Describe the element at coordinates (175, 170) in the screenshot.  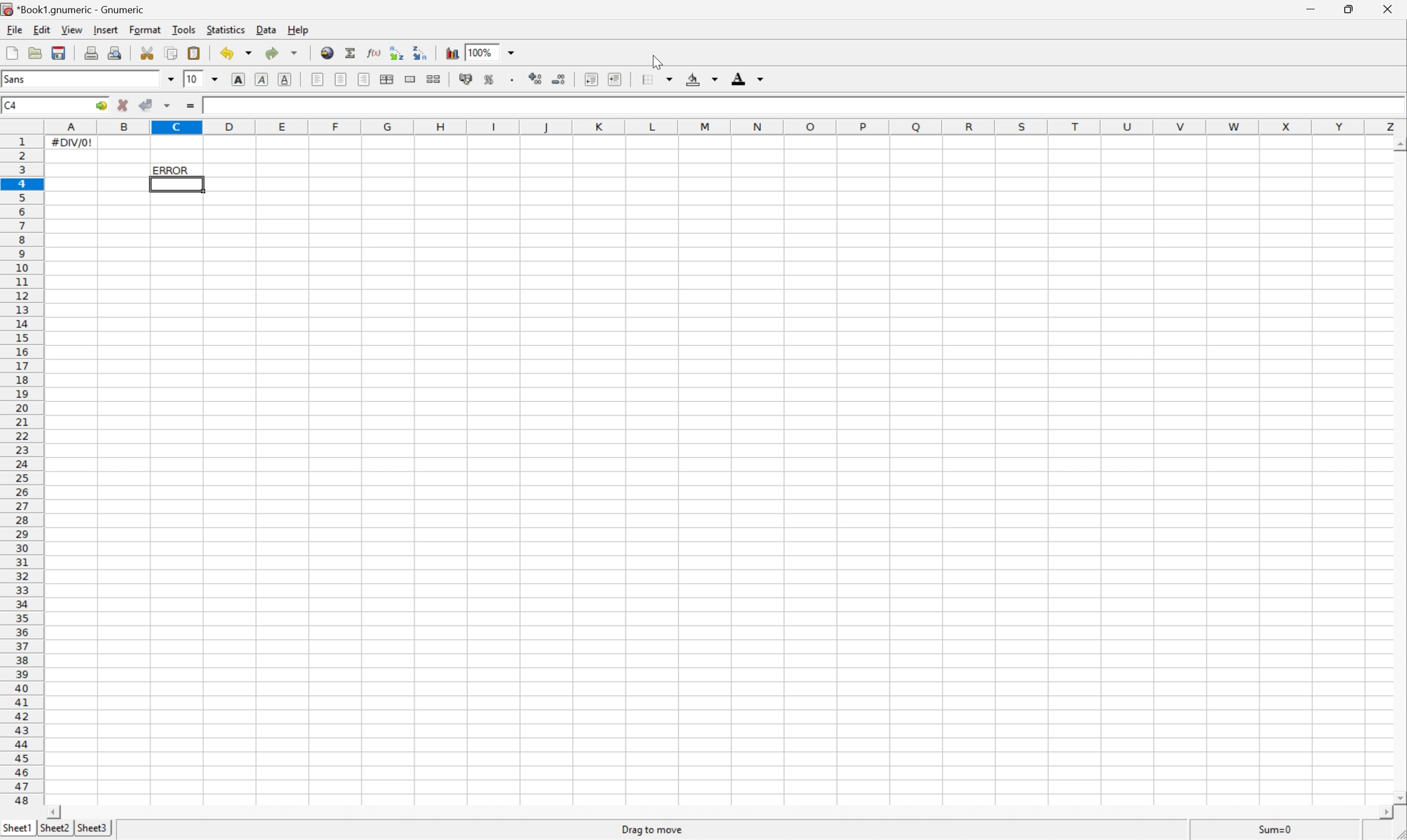
I see `ERROR` at that location.